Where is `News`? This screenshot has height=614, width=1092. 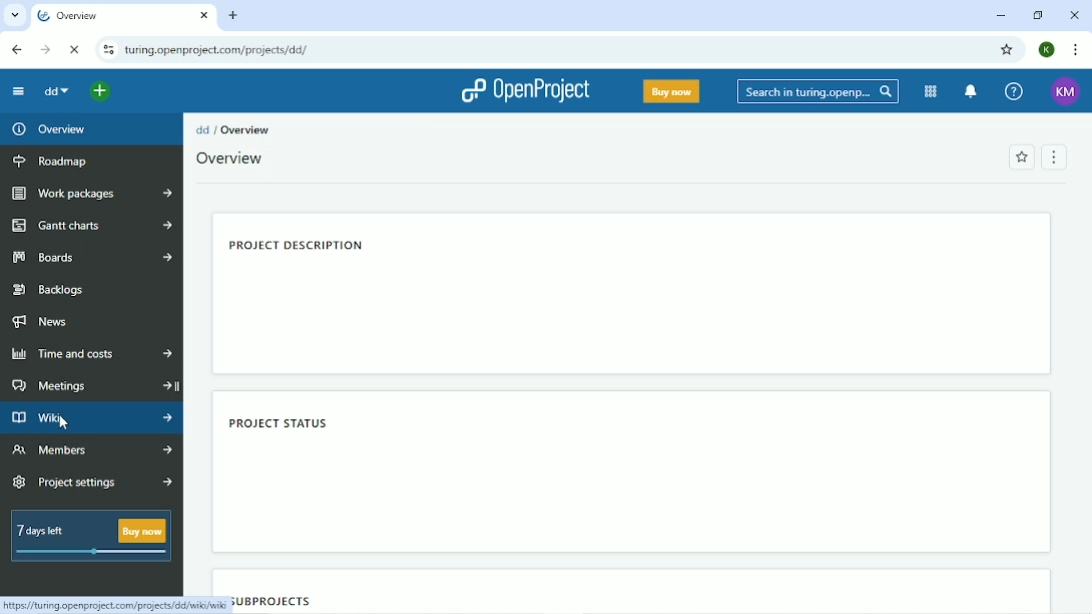
News is located at coordinates (42, 322).